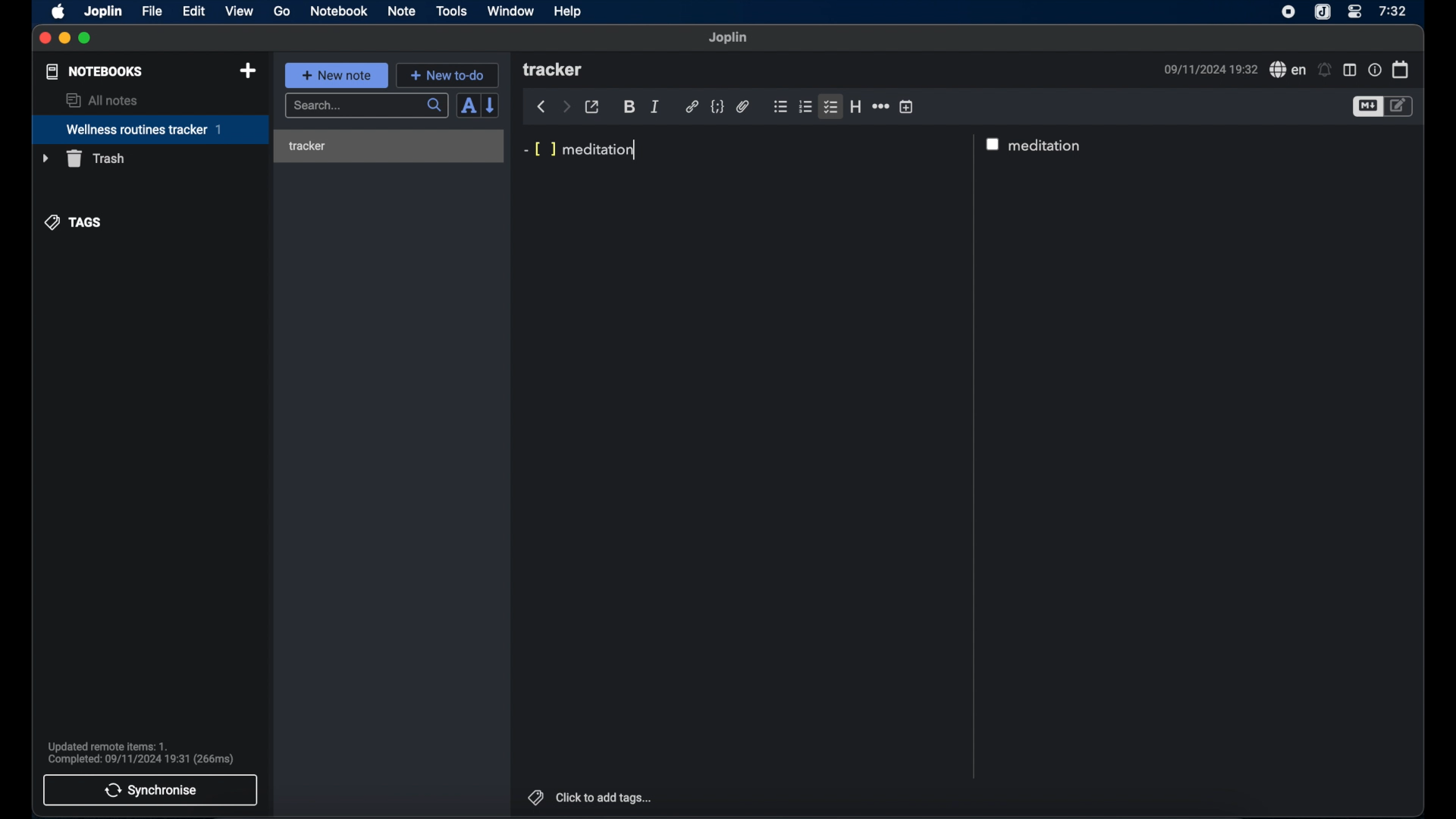 This screenshot has width=1456, height=819. Describe the element at coordinates (468, 105) in the screenshot. I see `toggle sort order field` at that location.